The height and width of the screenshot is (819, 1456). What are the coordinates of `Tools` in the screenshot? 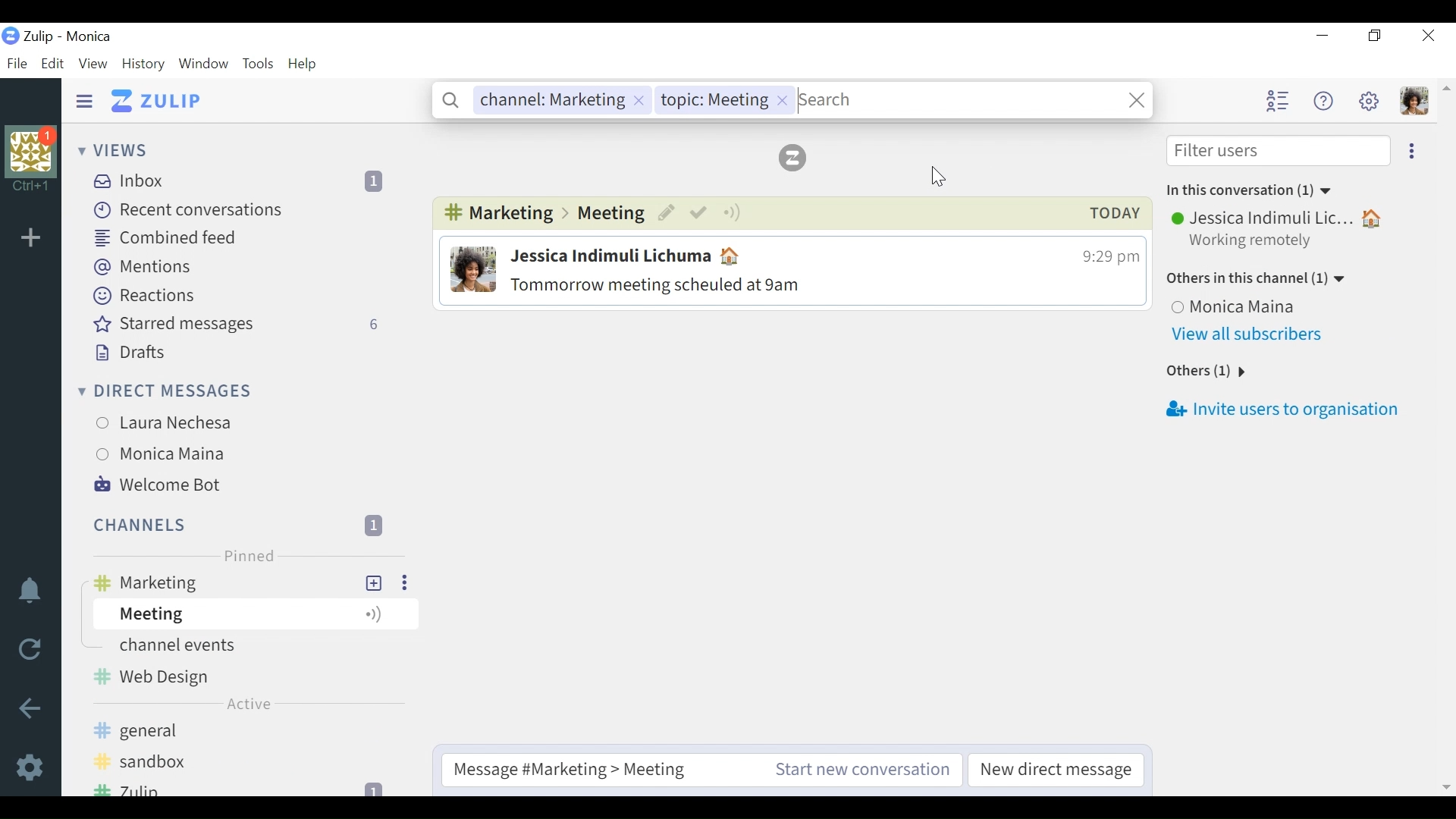 It's located at (258, 64).